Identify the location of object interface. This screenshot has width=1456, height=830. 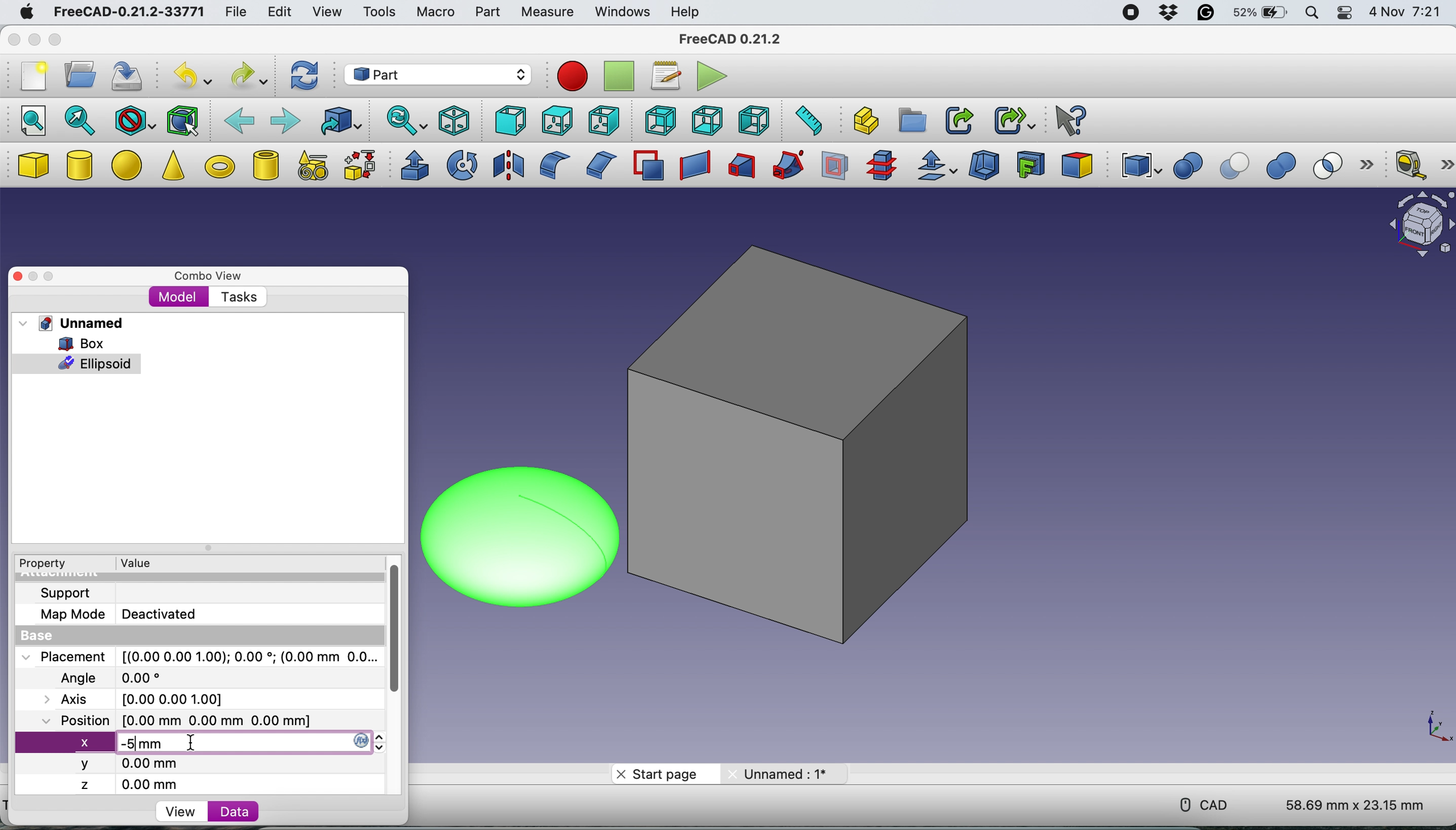
(1421, 226).